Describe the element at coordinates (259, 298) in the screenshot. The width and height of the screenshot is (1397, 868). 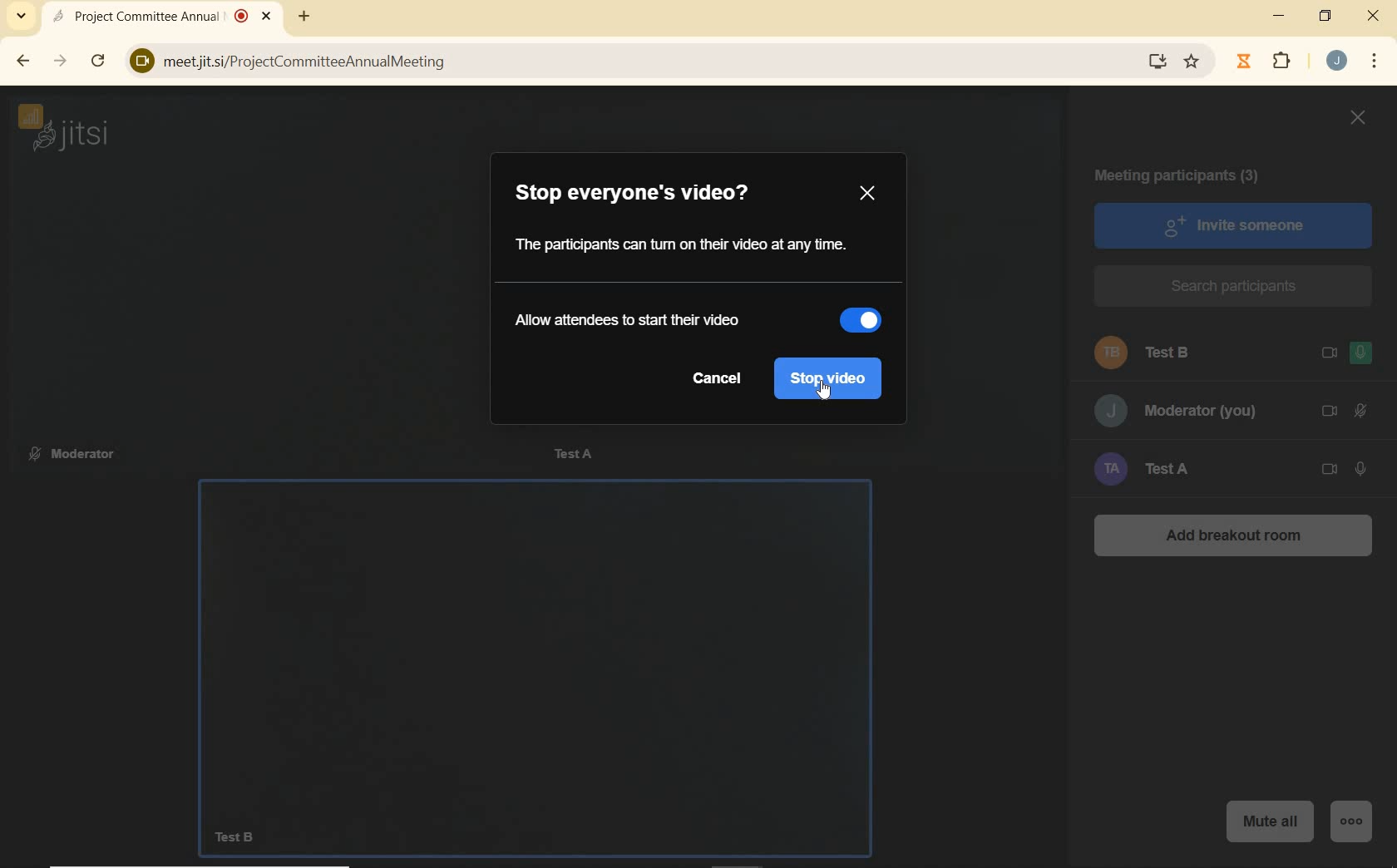
I see `moderator camera` at that location.